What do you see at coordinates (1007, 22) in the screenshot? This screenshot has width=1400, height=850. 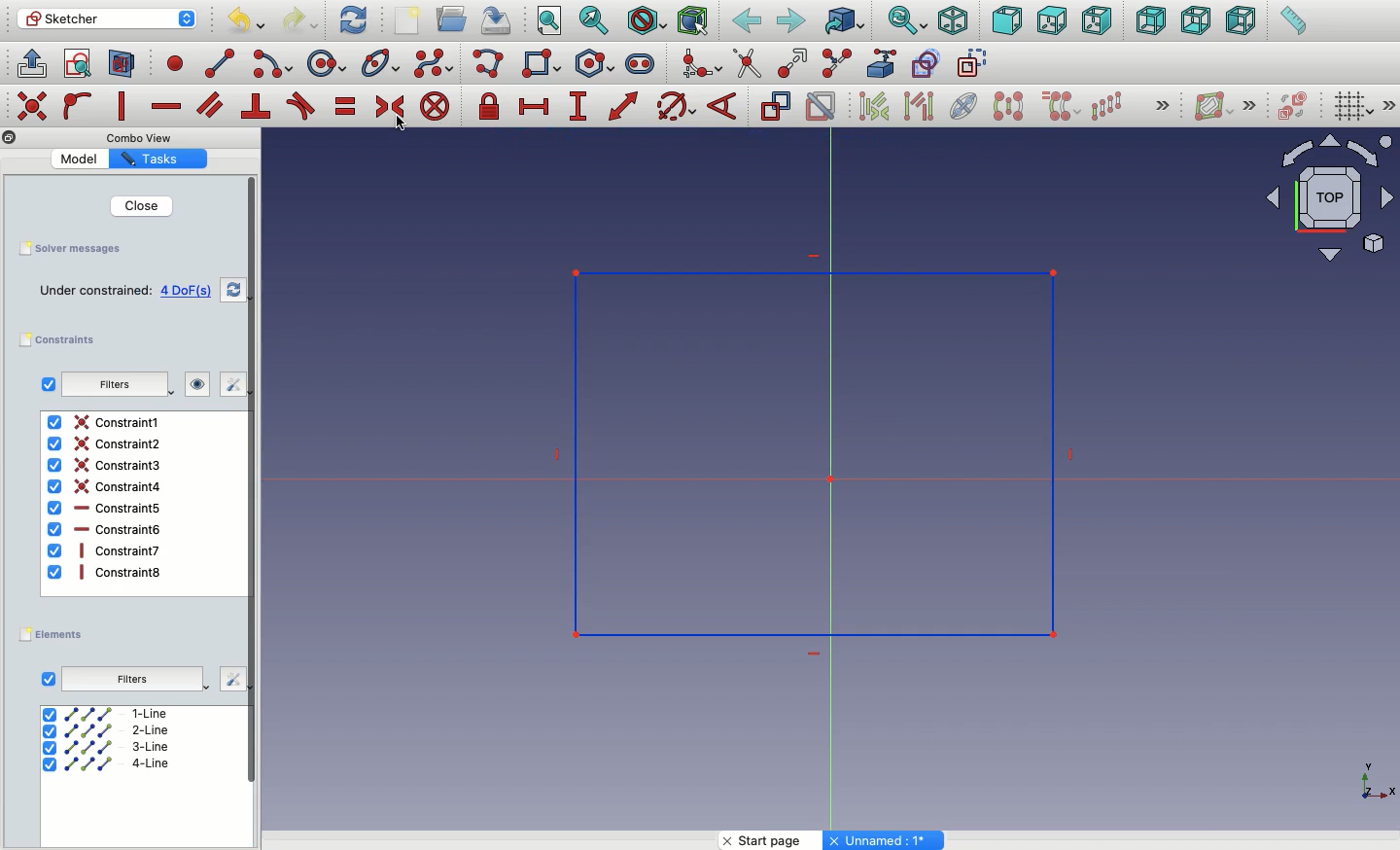 I see `Front` at bounding box center [1007, 22].